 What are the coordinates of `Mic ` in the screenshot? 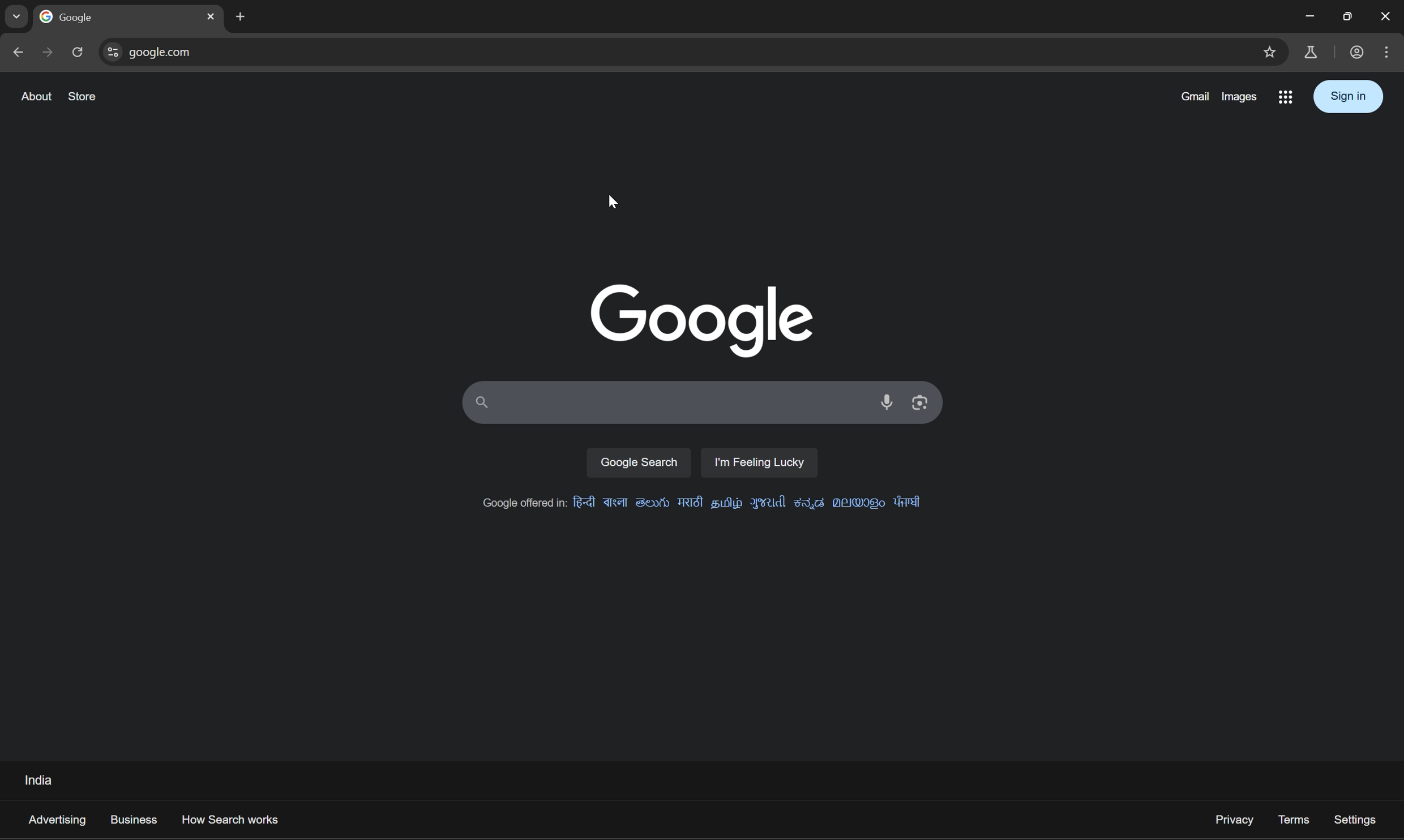 It's located at (891, 402).